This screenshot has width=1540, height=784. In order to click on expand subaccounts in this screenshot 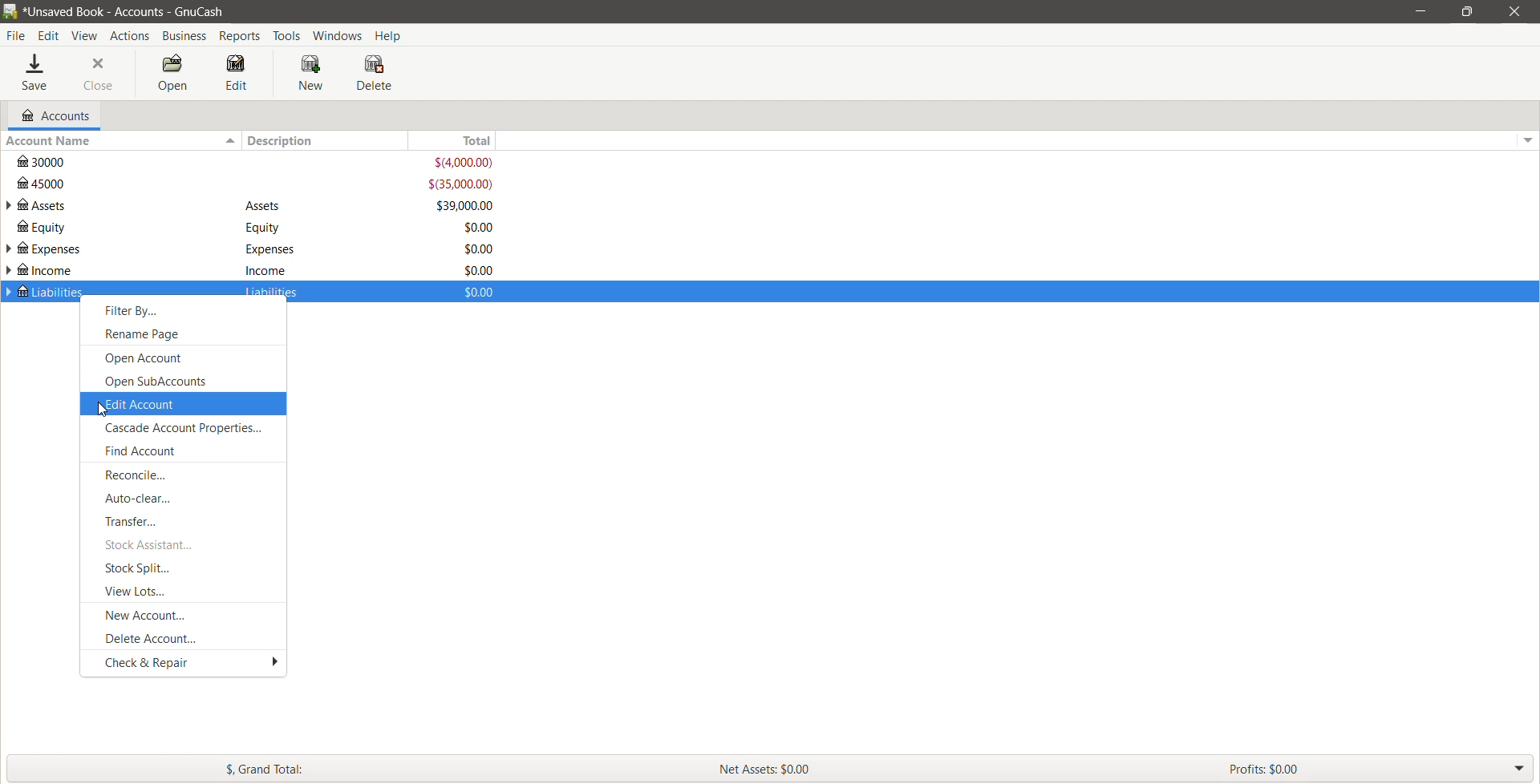, I will do `click(10, 270)`.